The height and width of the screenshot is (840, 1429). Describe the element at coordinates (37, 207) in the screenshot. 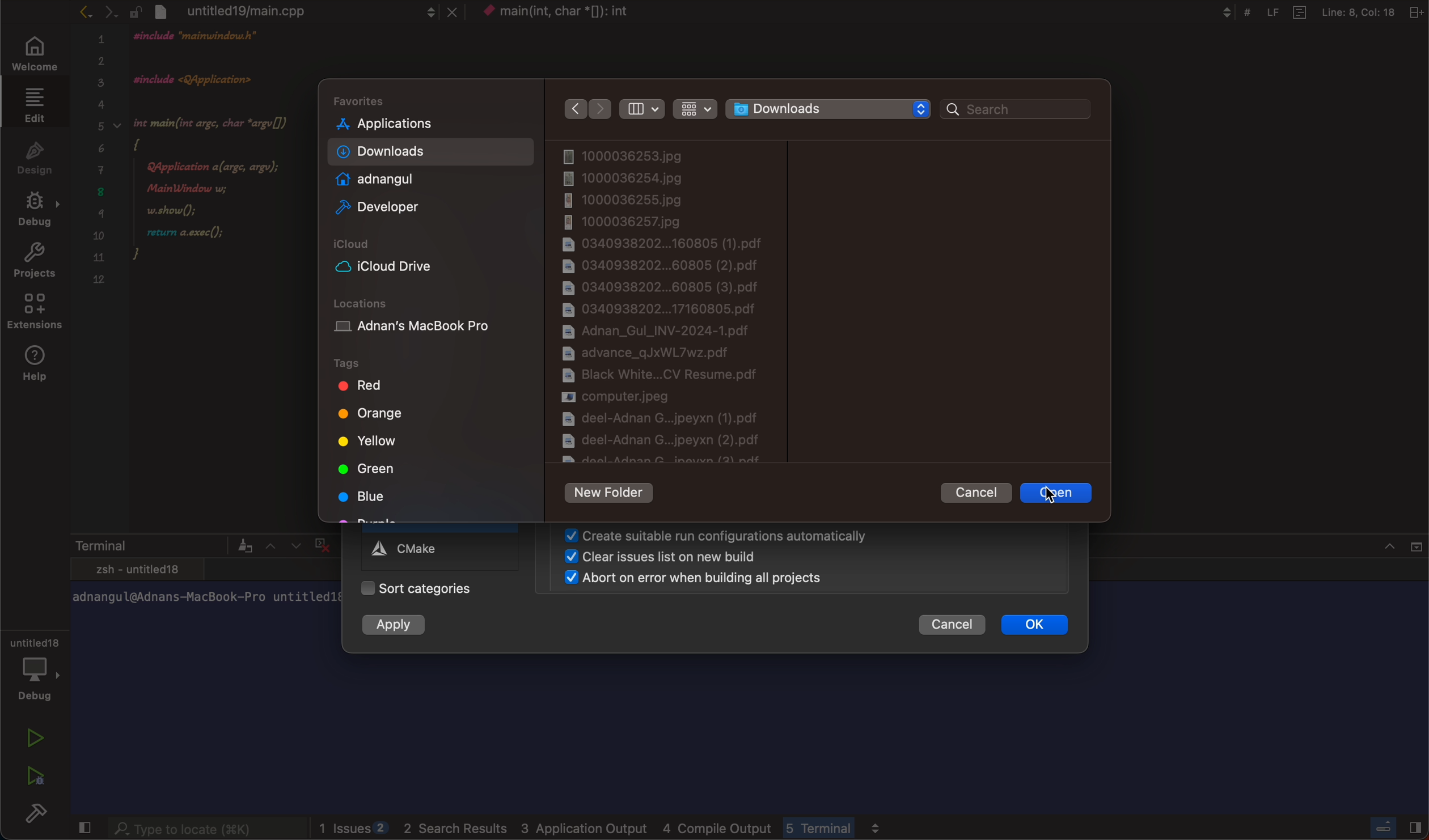

I see `debug` at that location.